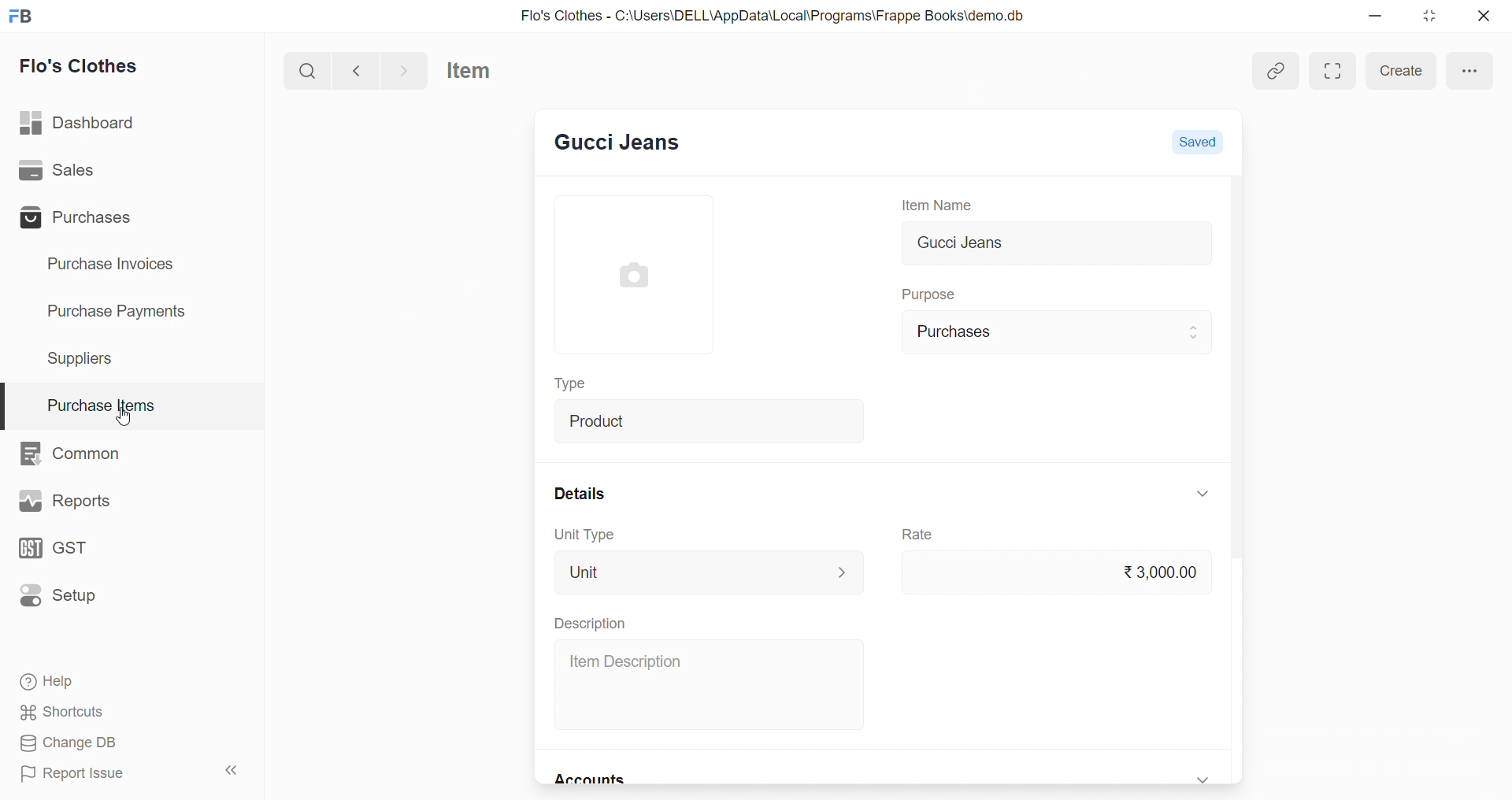 The image size is (1512, 800). Describe the element at coordinates (124, 680) in the screenshot. I see `Help` at that location.